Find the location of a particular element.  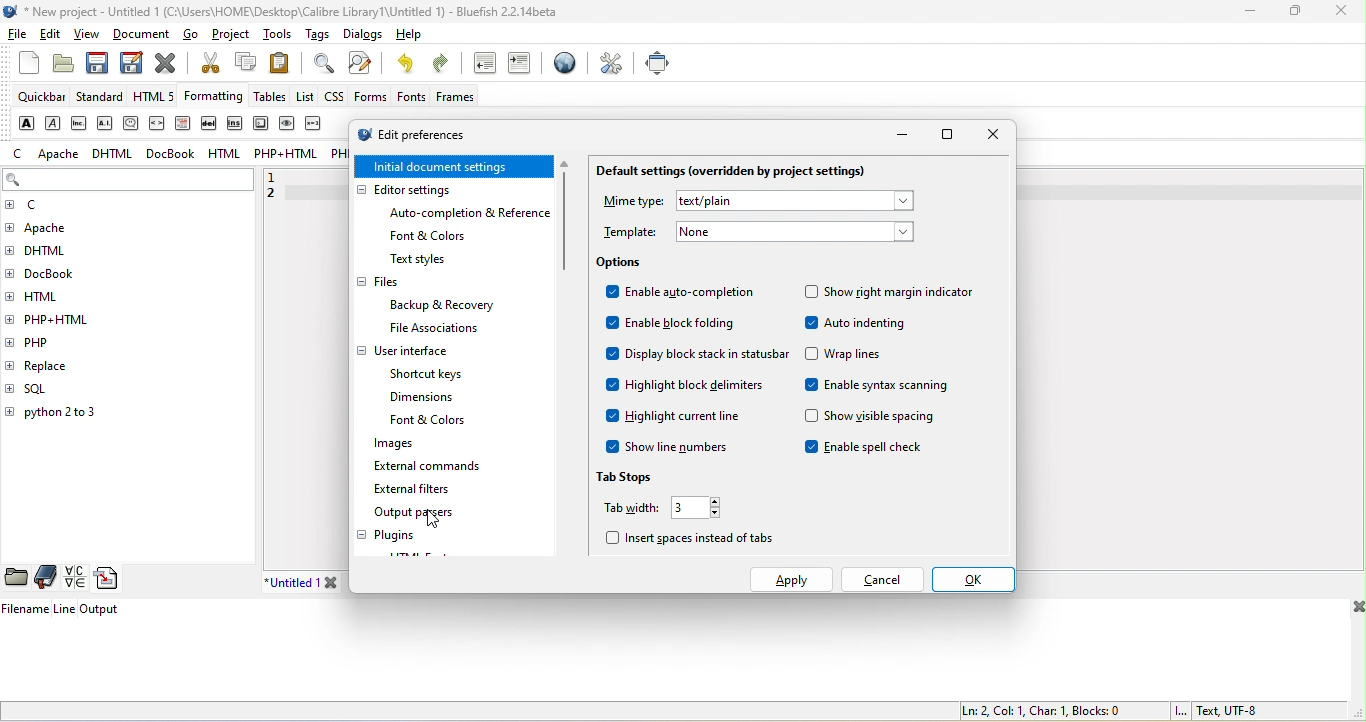

title is located at coordinates (282, 10).